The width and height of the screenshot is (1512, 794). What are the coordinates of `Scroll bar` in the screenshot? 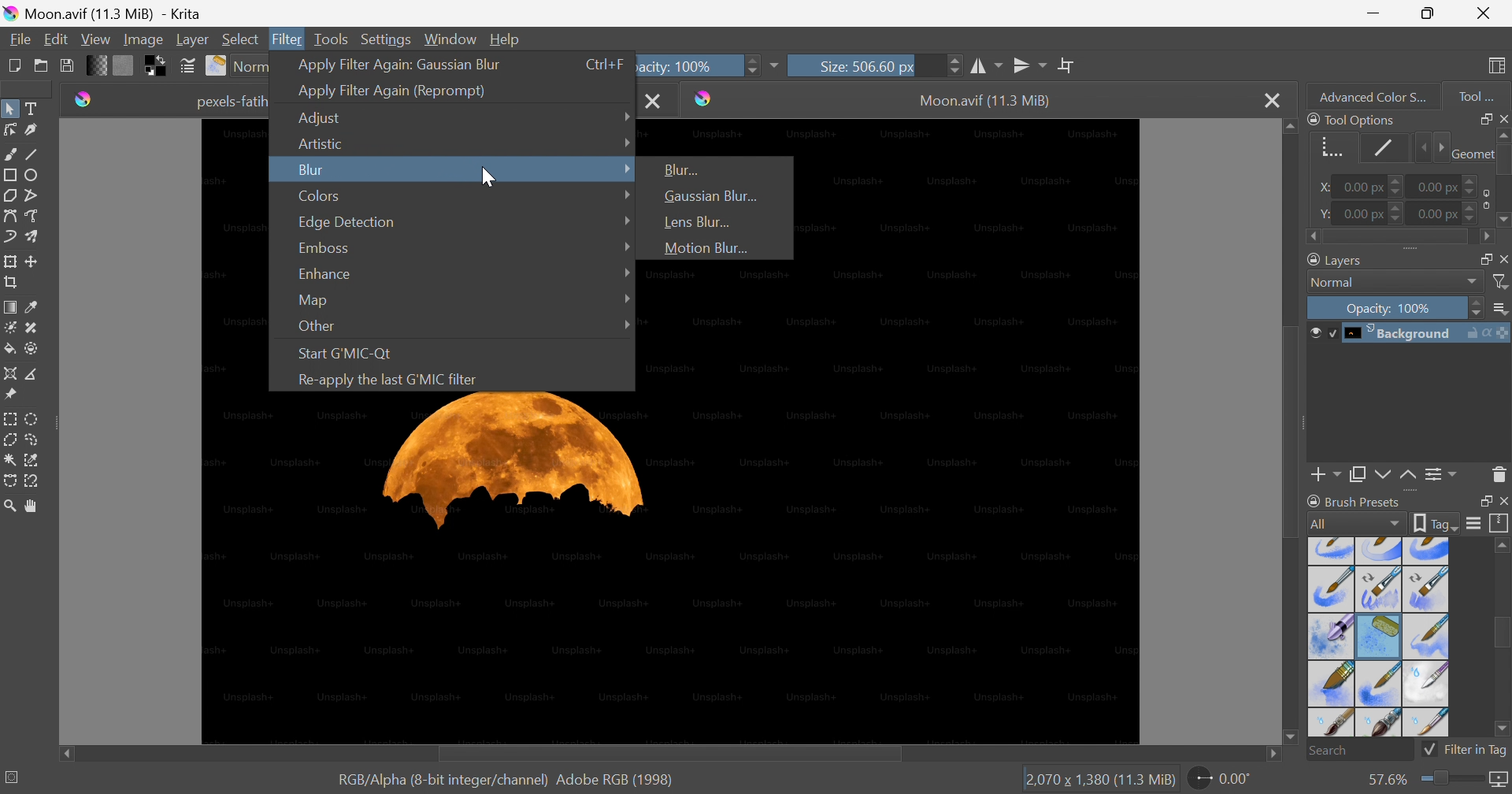 It's located at (1503, 159).